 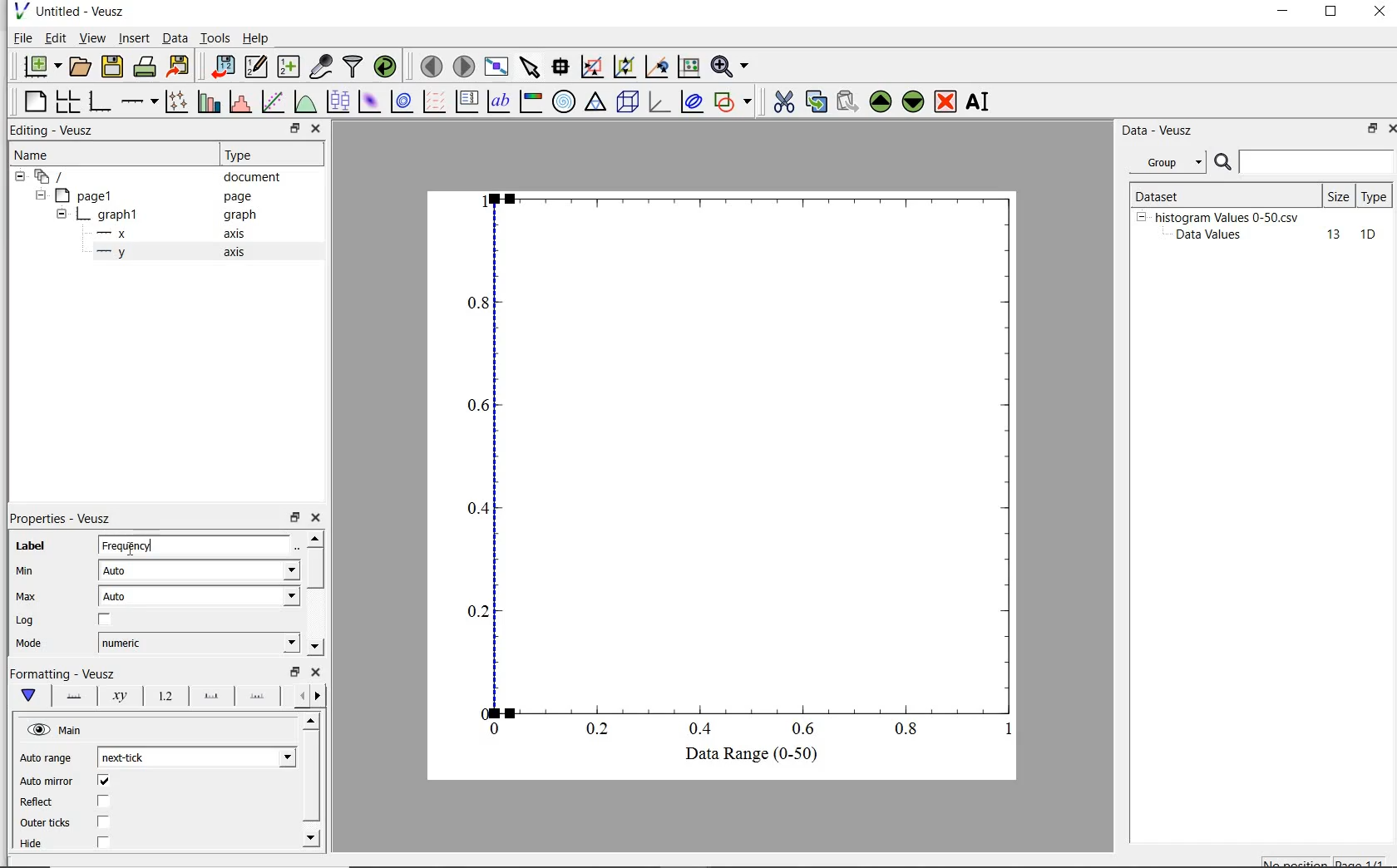 What do you see at coordinates (60, 672) in the screenshot?
I see `|Formatting - Veusz` at bounding box center [60, 672].